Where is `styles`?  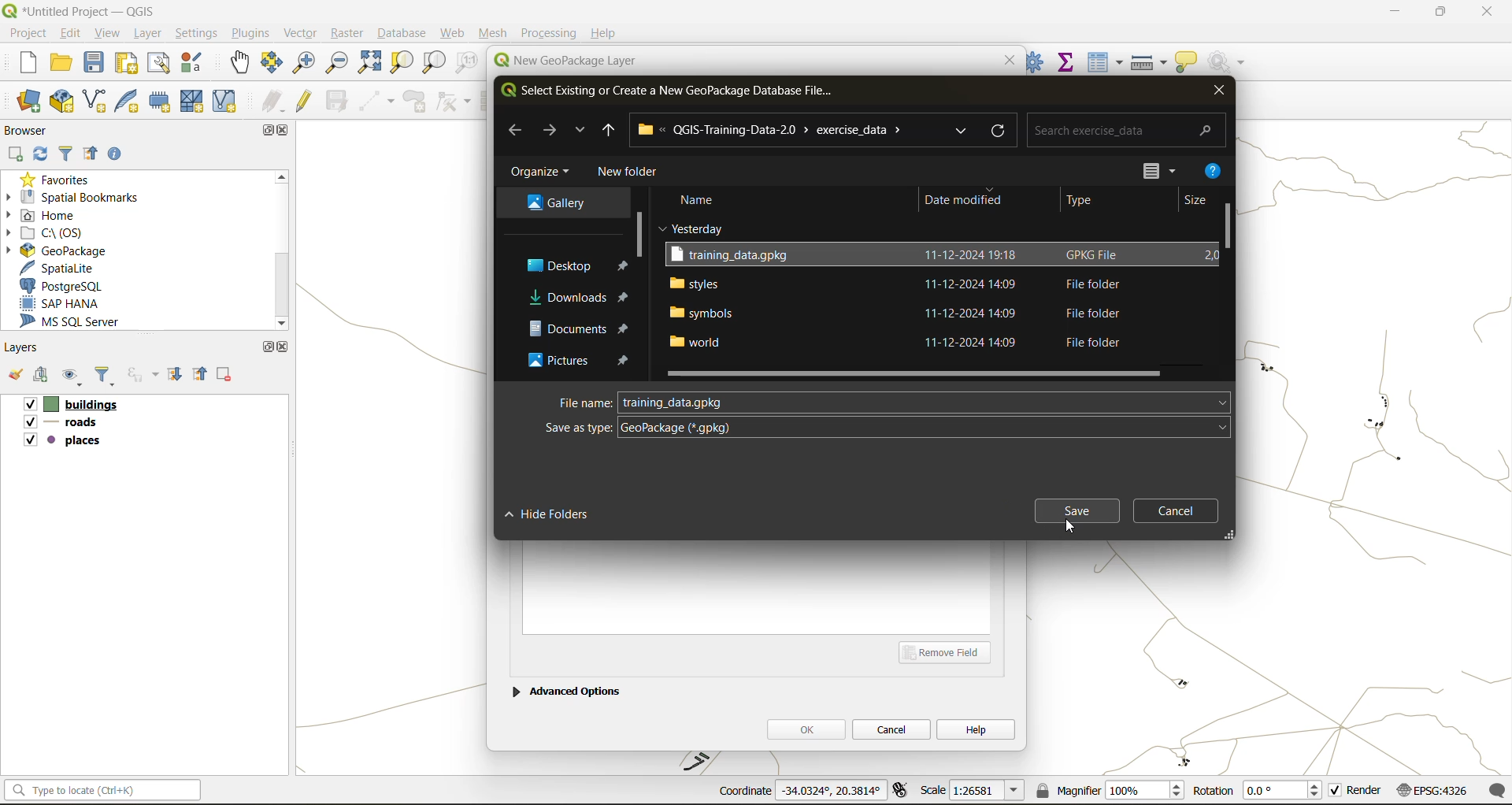 styles is located at coordinates (695, 282).